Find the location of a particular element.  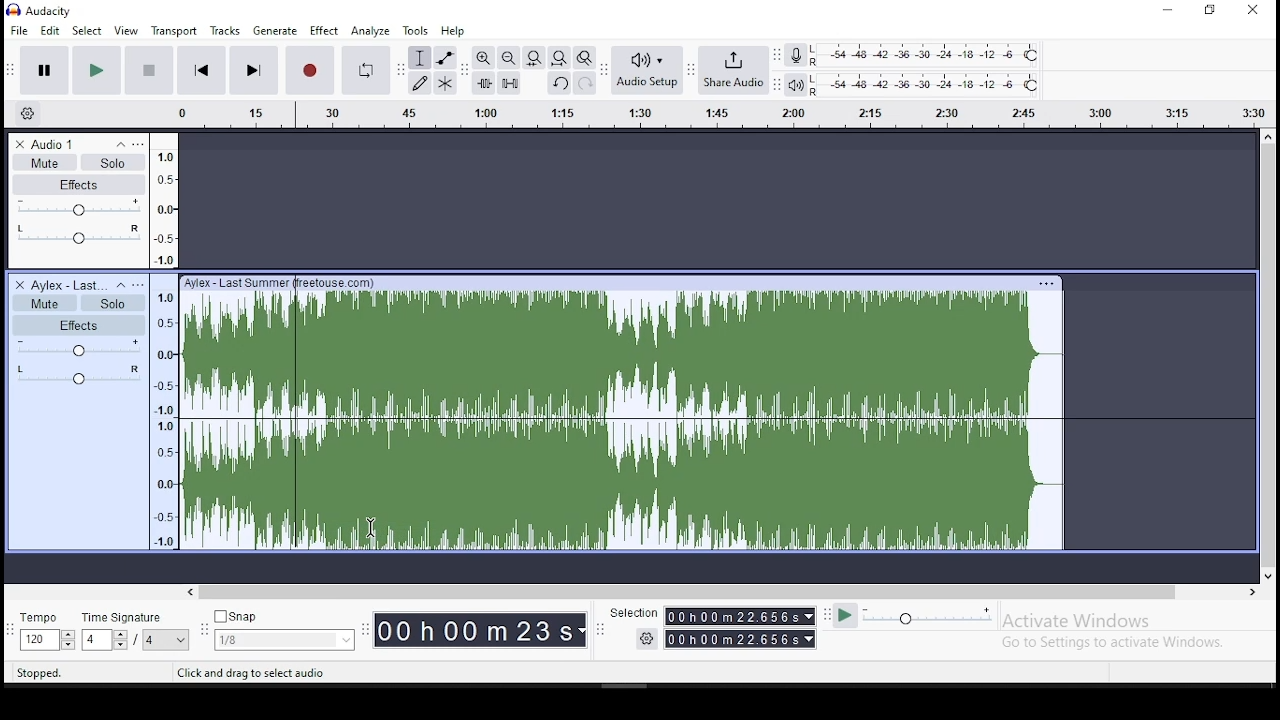

00 h 00 m 23 s is located at coordinates (479, 632).